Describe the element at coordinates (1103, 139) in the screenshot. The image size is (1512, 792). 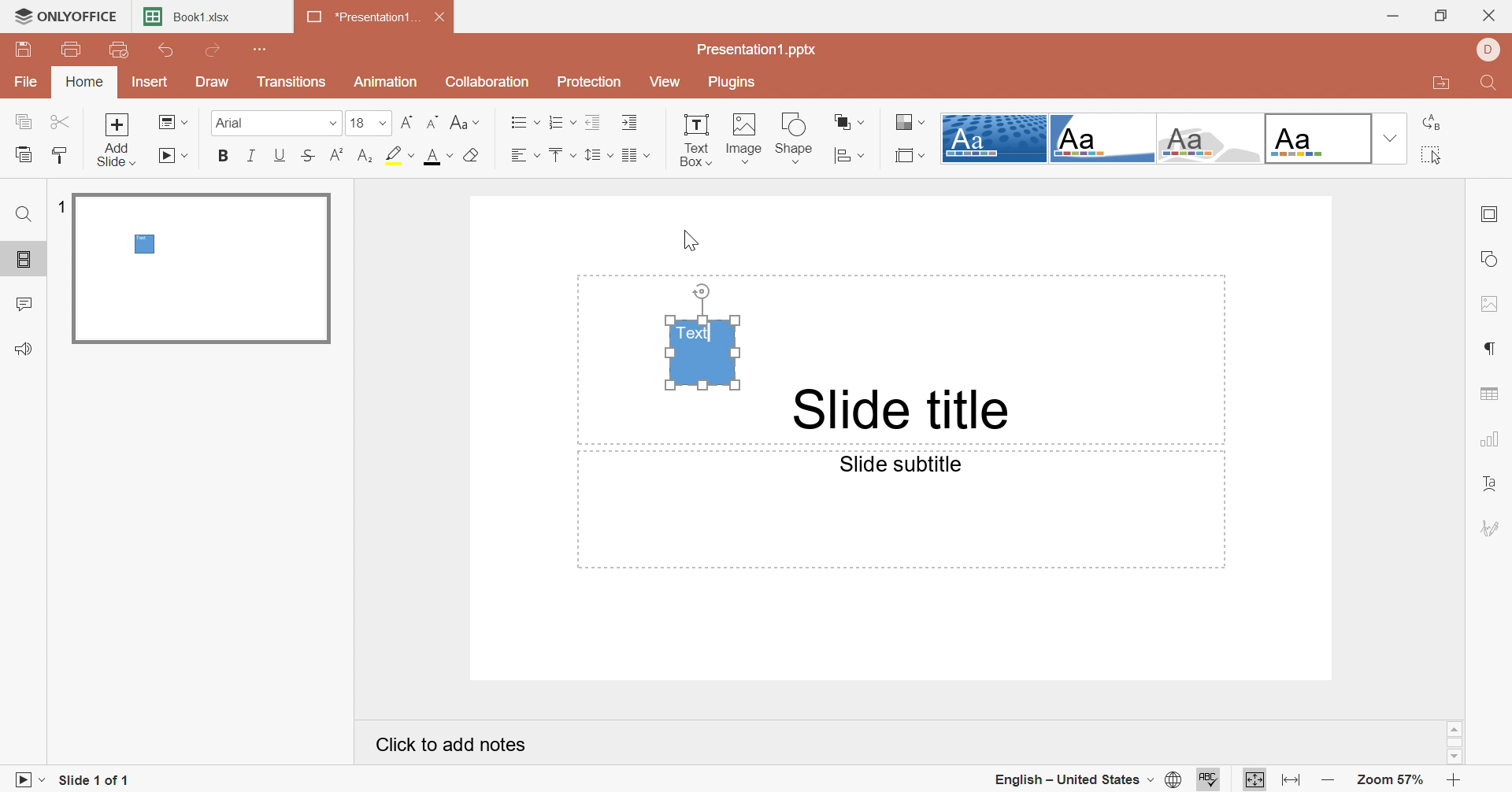
I see `Corner` at that location.